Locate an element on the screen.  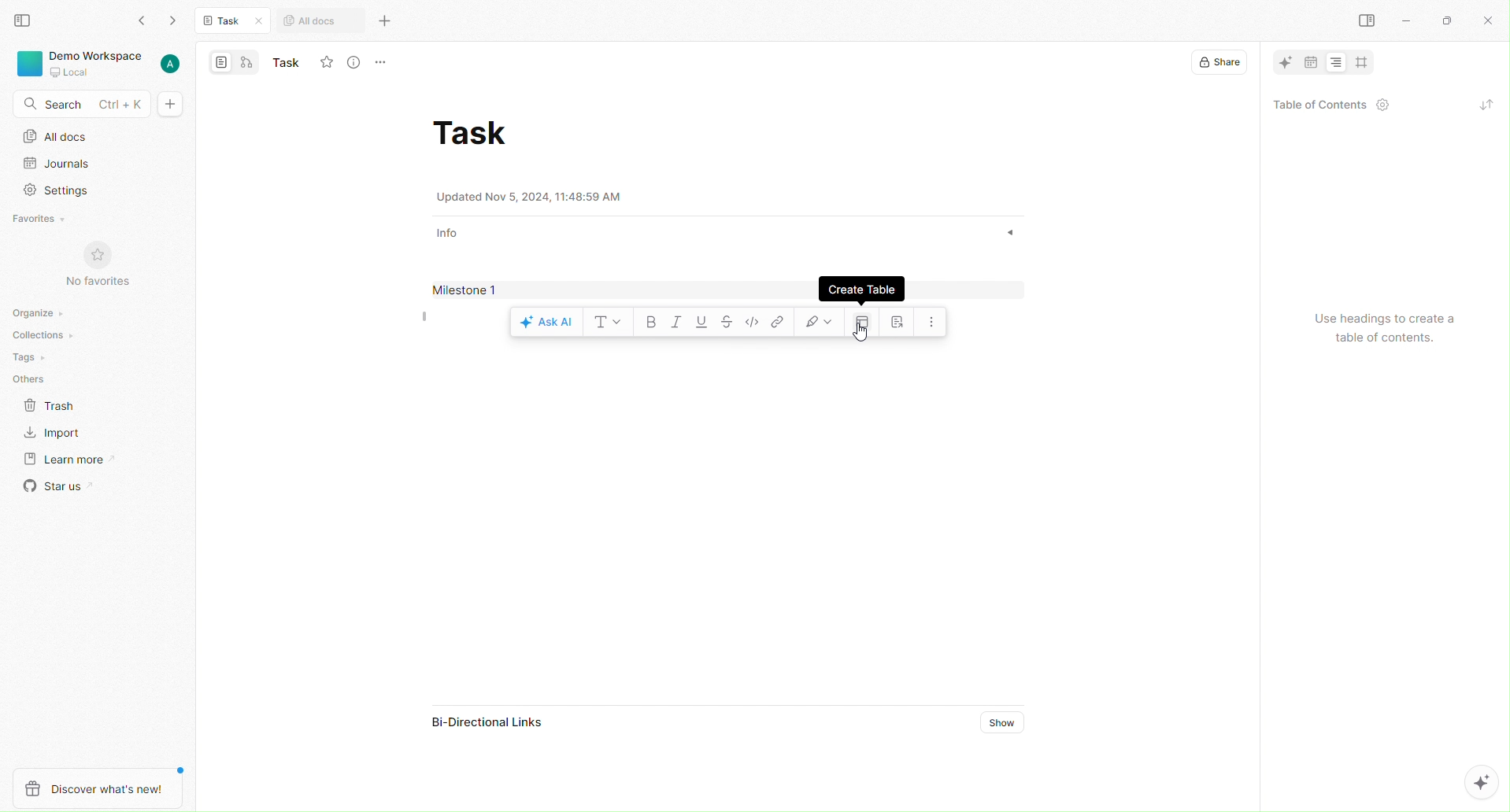
forward is located at coordinates (171, 23).